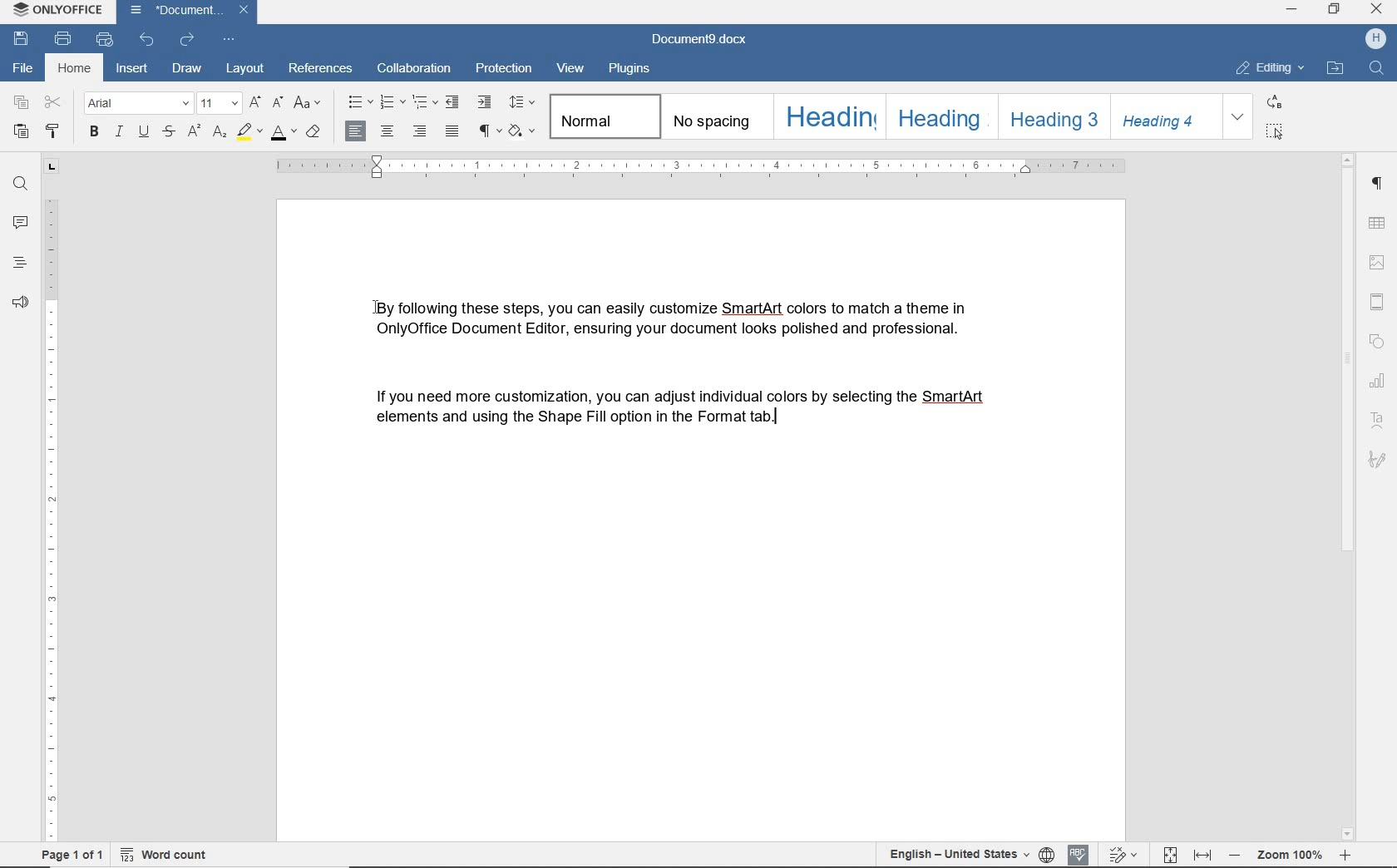  Describe the element at coordinates (220, 133) in the screenshot. I see `subscript` at that location.